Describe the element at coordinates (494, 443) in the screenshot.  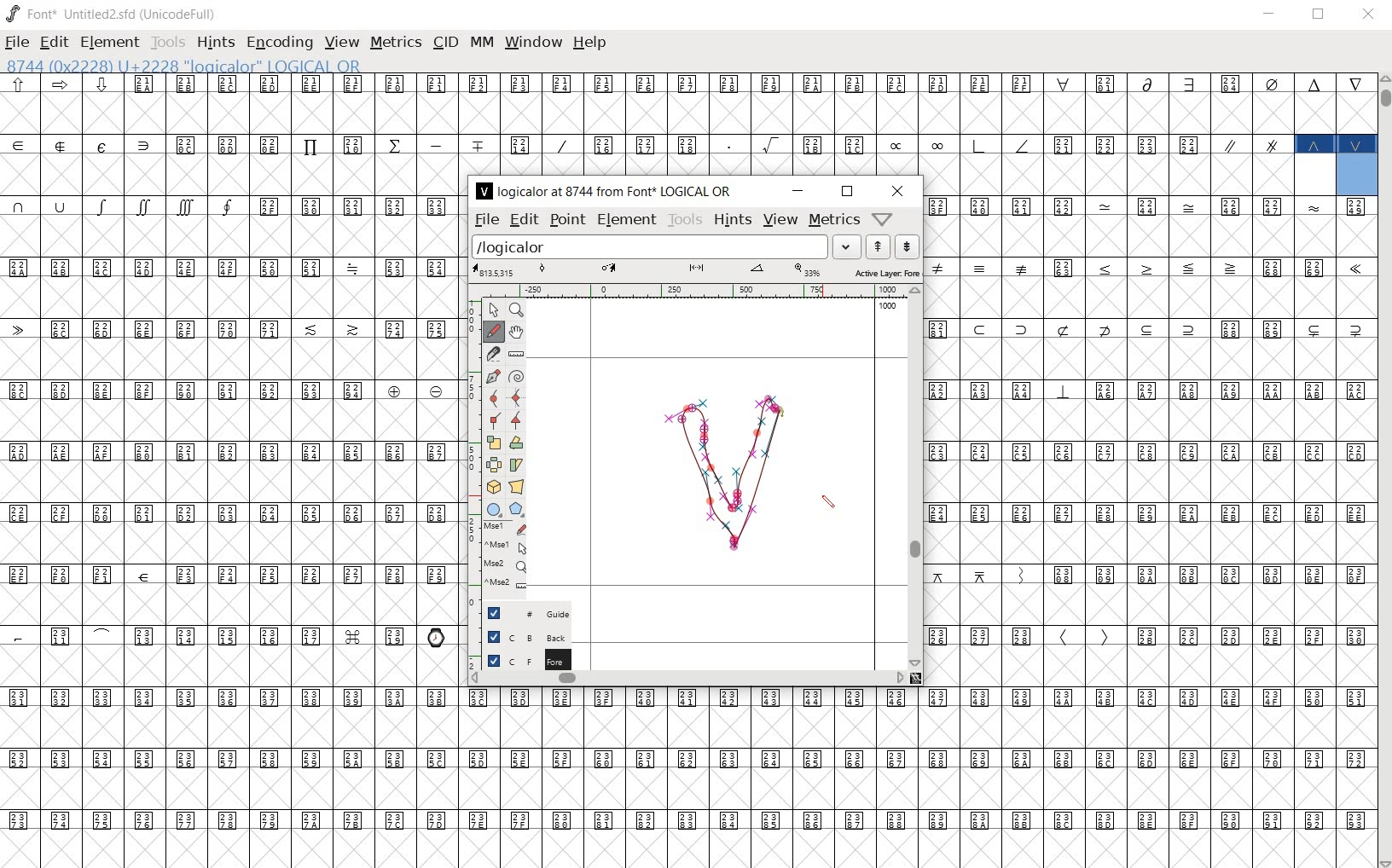
I see `scale the selection` at that location.